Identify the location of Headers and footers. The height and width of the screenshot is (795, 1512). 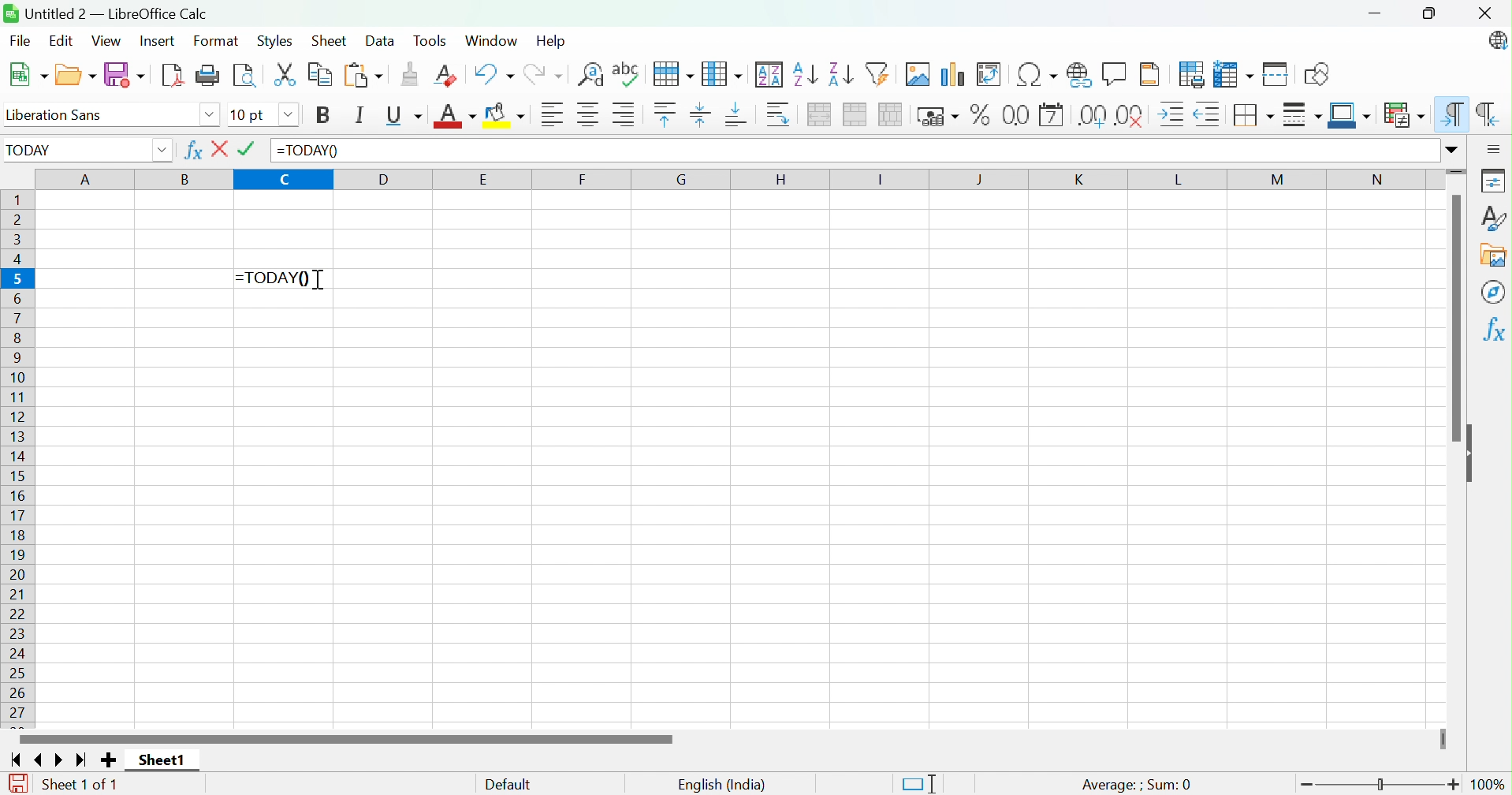
(1150, 73).